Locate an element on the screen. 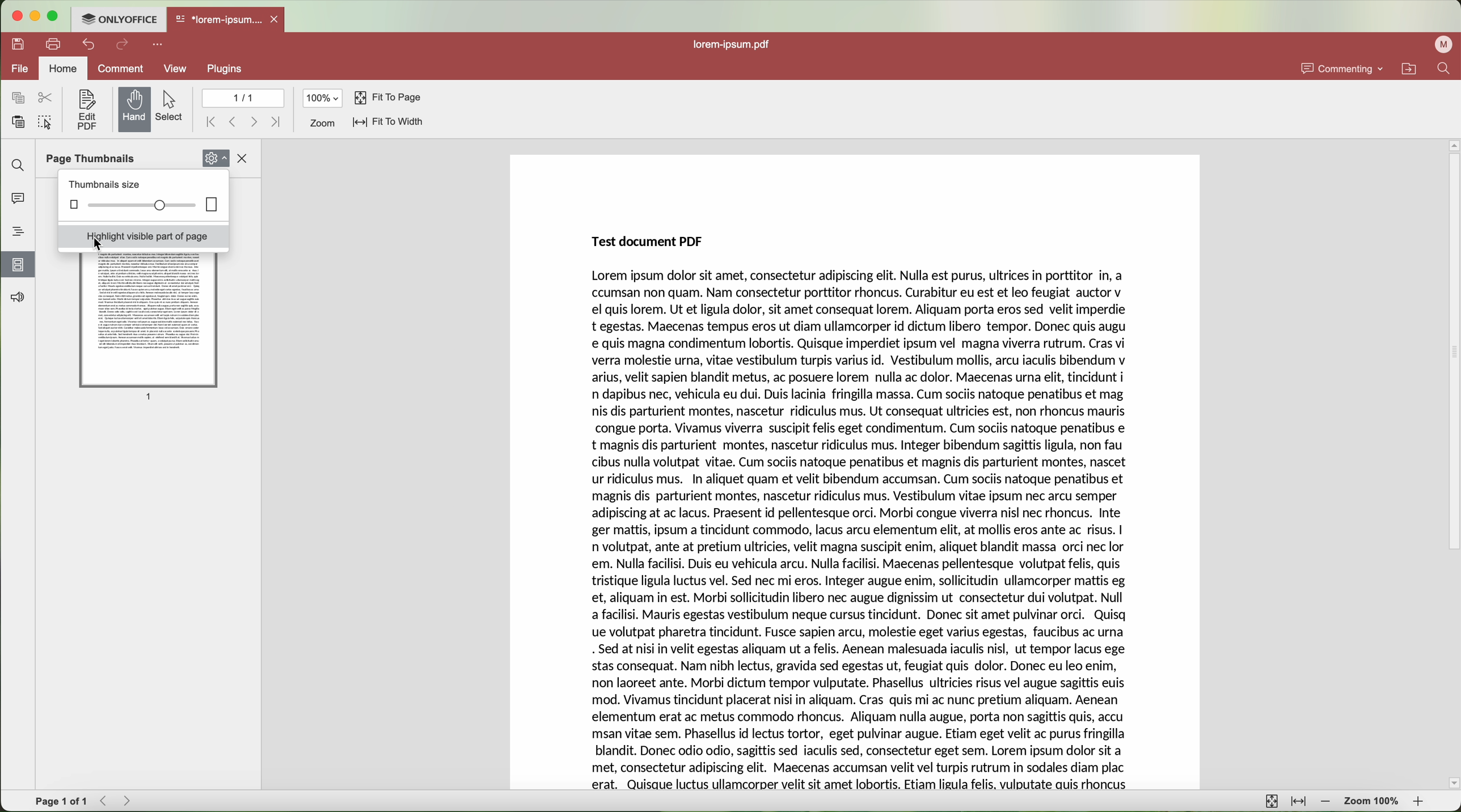 The height and width of the screenshot is (812, 1461). zoom is located at coordinates (323, 123).